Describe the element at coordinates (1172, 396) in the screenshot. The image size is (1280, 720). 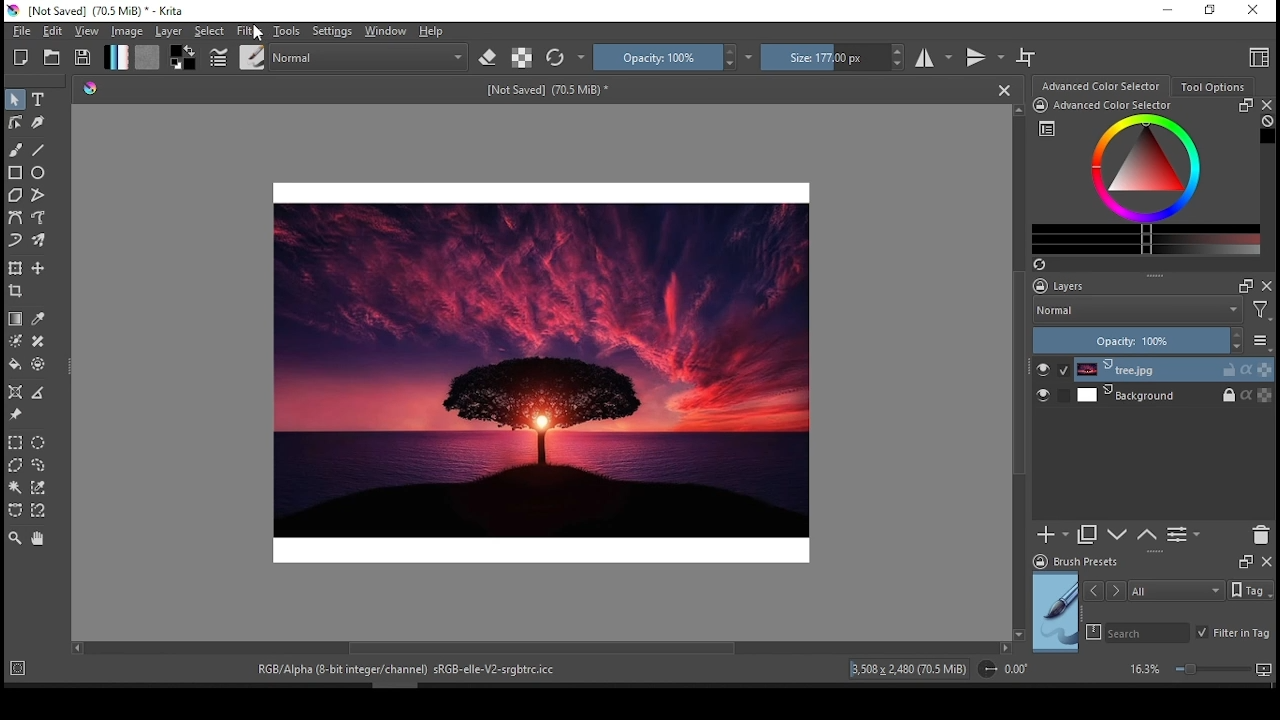
I see `layer 2` at that location.